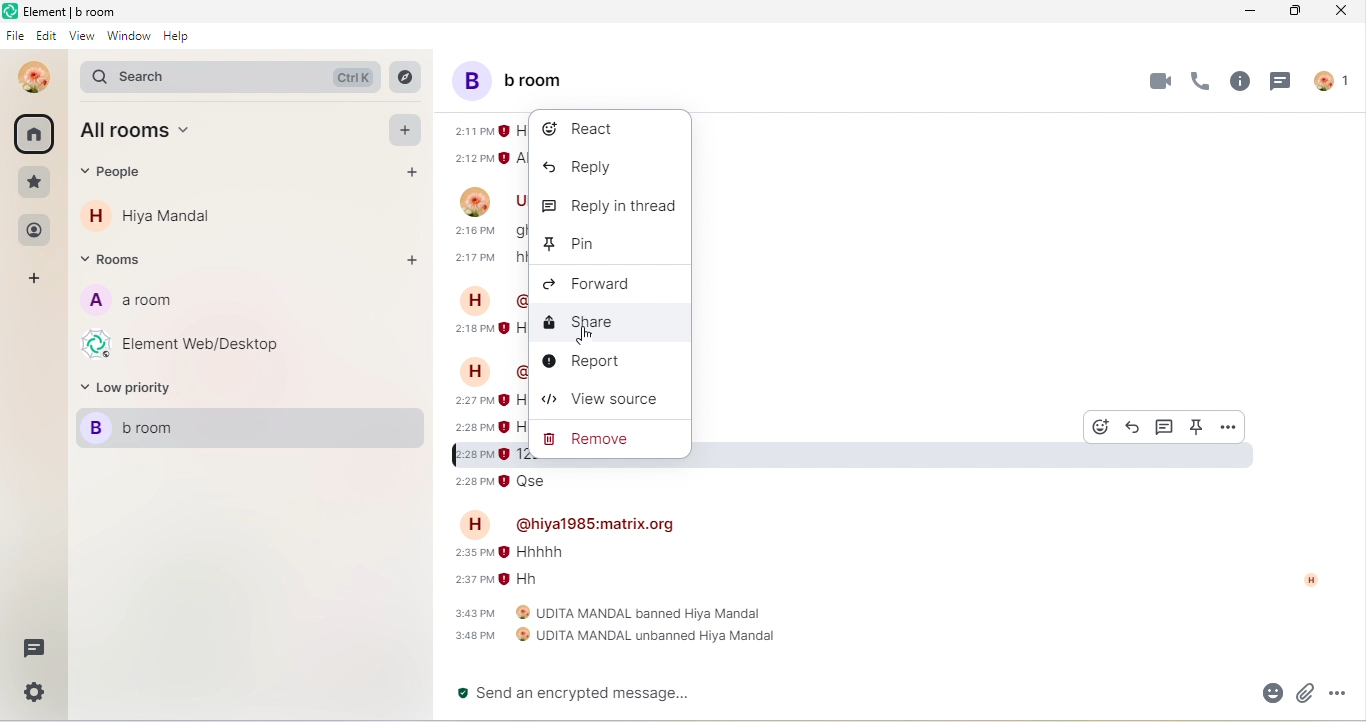 The width and height of the screenshot is (1366, 722). Describe the element at coordinates (504, 481) in the screenshot. I see `2:28 pm Qse` at that location.